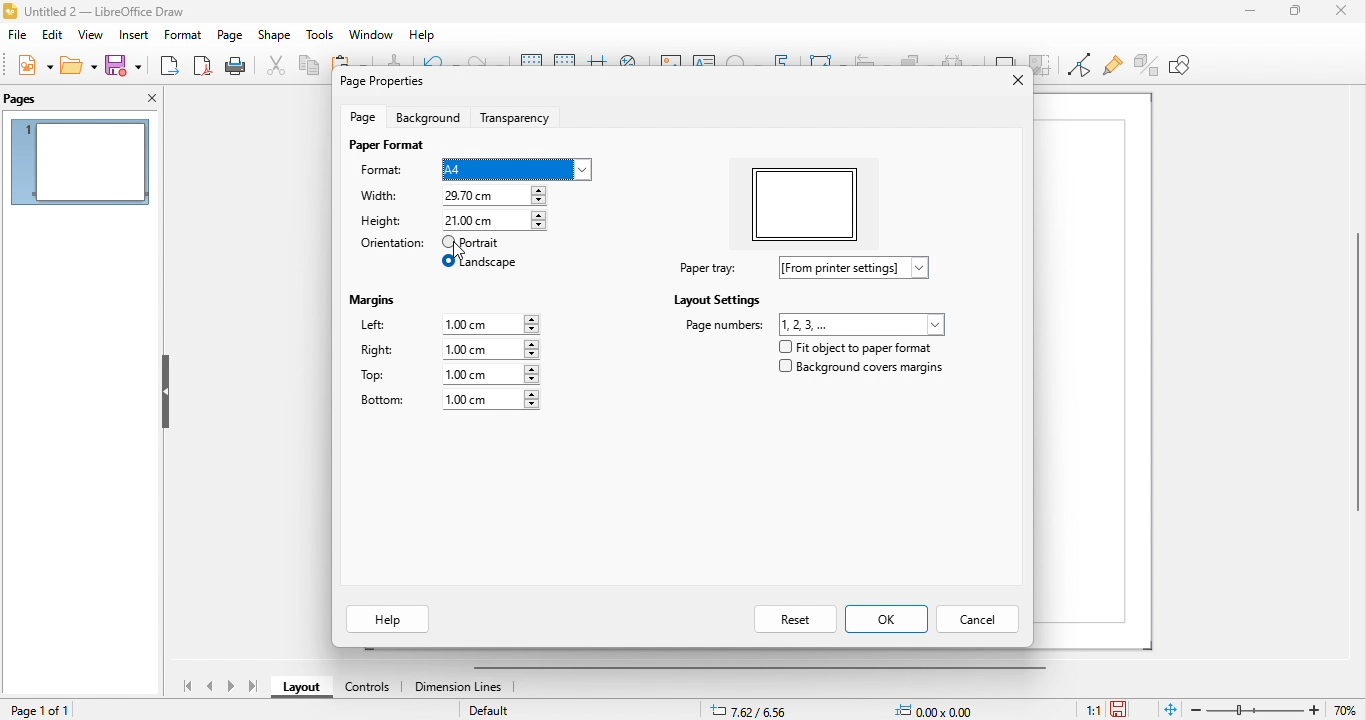 This screenshot has height=720, width=1366. Describe the element at coordinates (299, 689) in the screenshot. I see `layout` at that location.